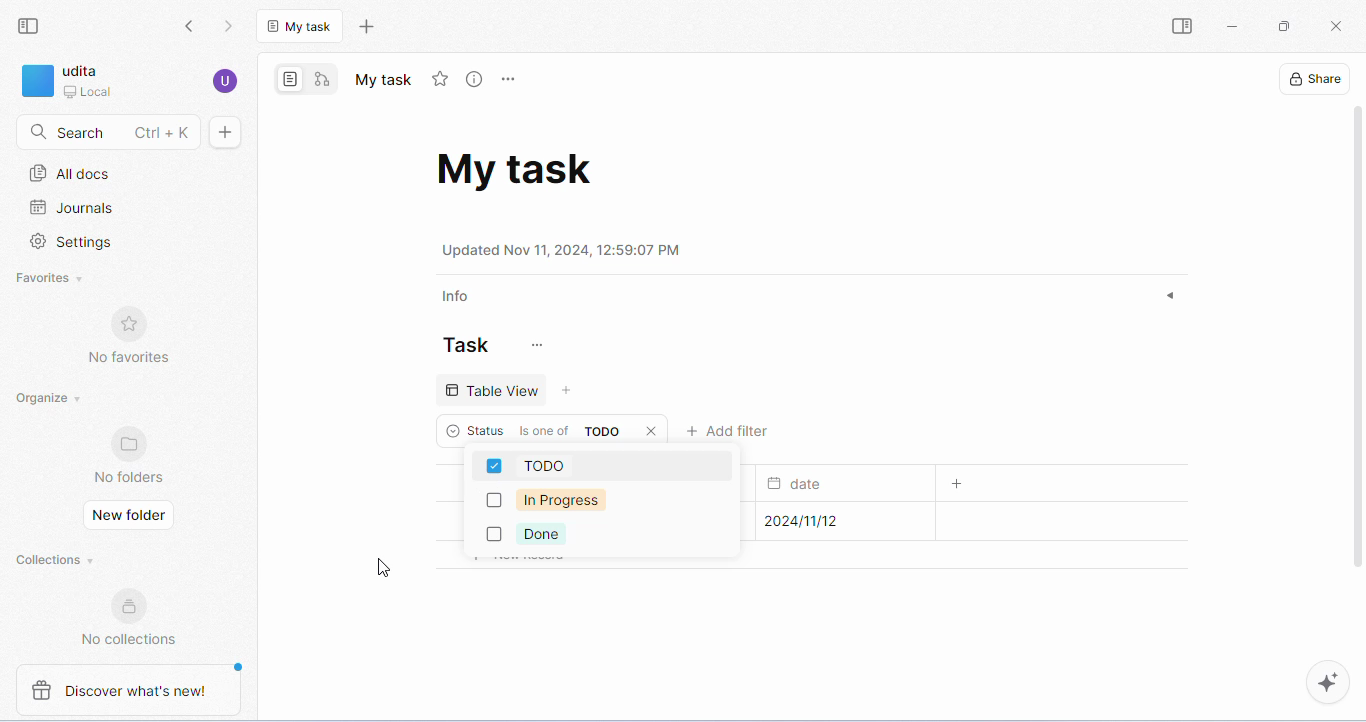 The width and height of the screenshot is (1366, 722). Describe the element at coordinates (1232, 27) in the screenshot. I see `minimize` at that location.